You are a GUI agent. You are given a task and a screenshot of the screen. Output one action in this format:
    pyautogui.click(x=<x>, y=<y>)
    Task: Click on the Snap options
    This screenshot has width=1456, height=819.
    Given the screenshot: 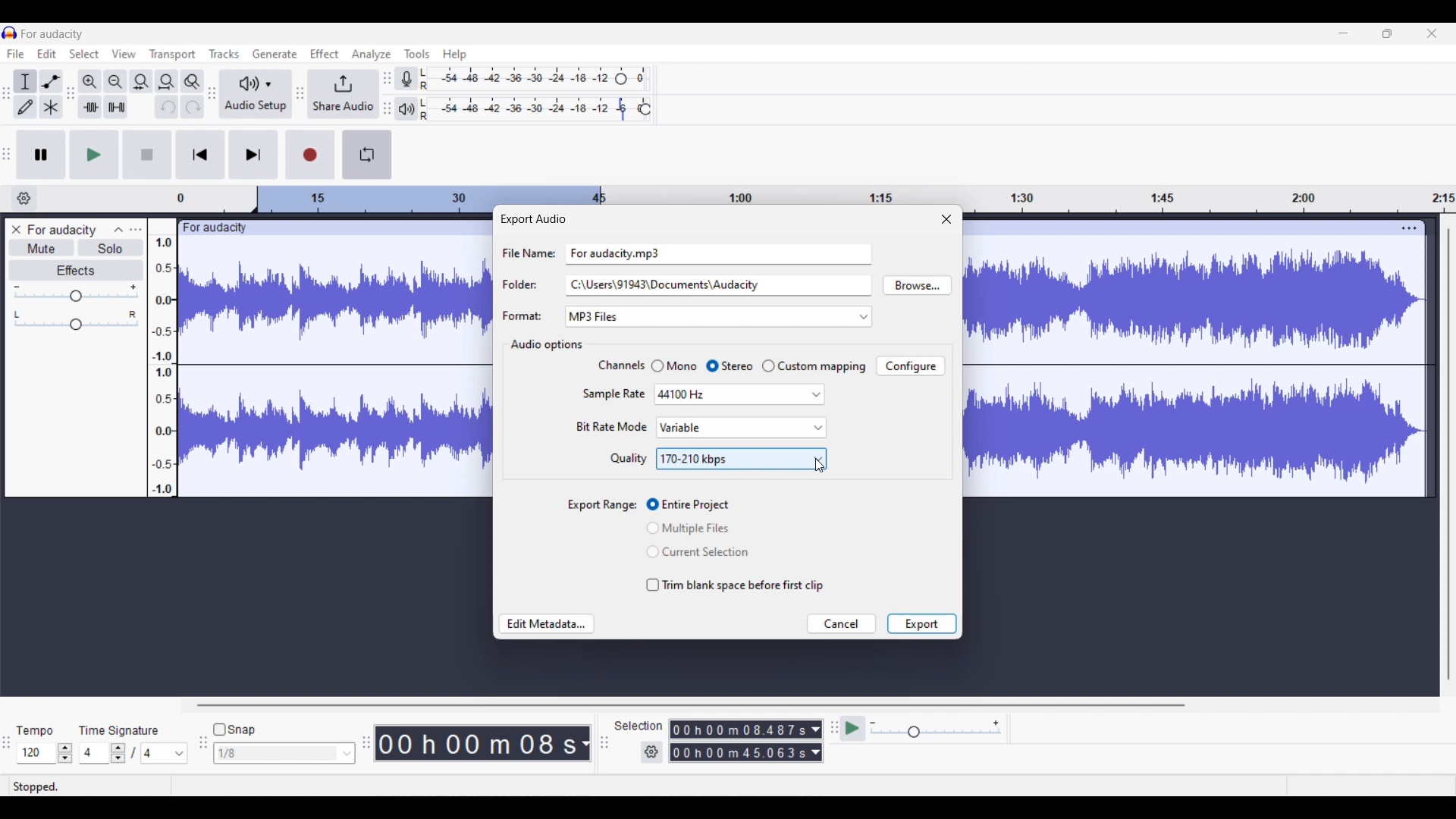 What is the action you would take?
    pyautogui.click(x=284, y=753)
    